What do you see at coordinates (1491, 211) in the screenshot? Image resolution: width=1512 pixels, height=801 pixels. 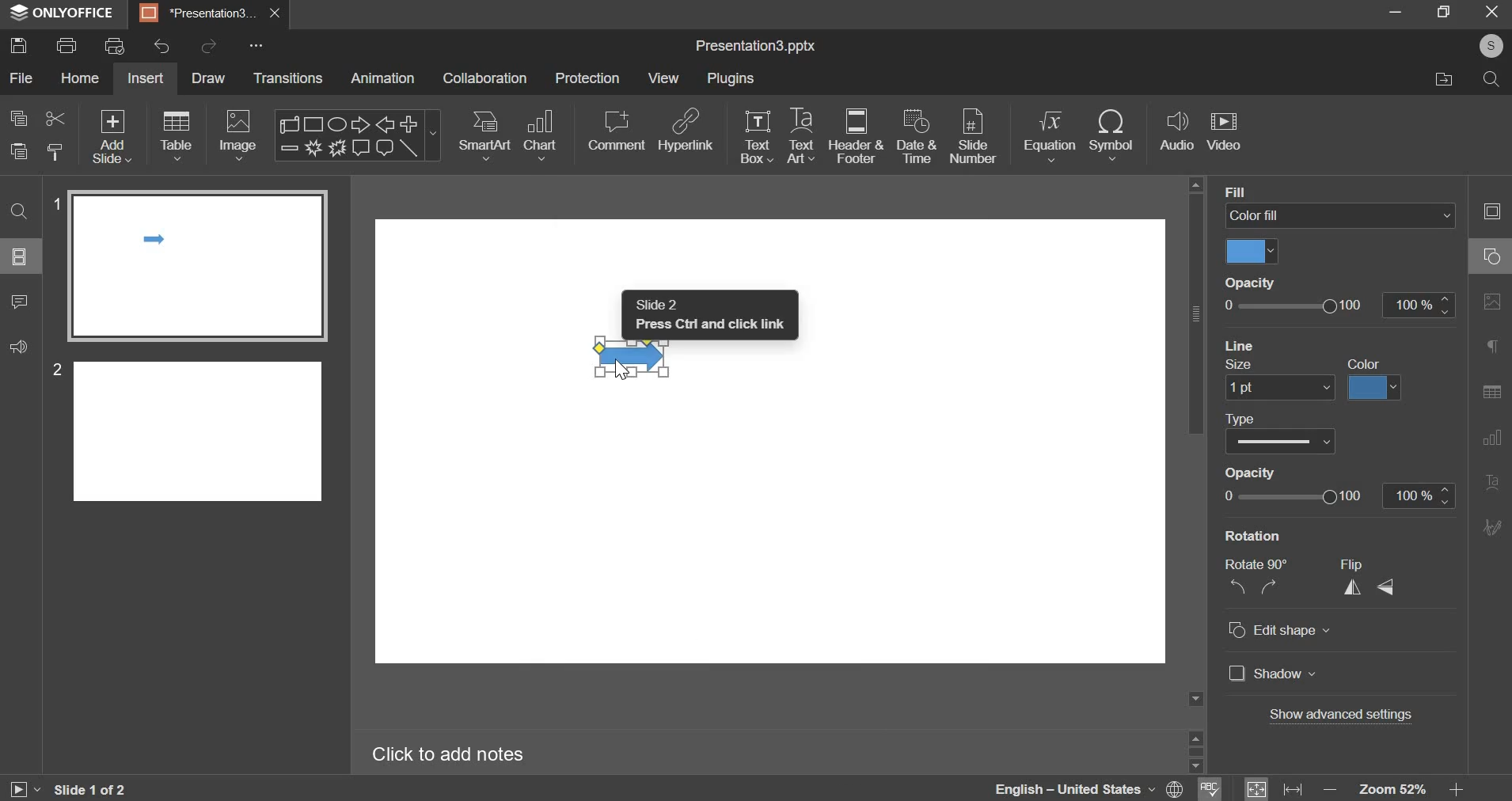 I see `Slide settings` at bounding box center [1491, 211].